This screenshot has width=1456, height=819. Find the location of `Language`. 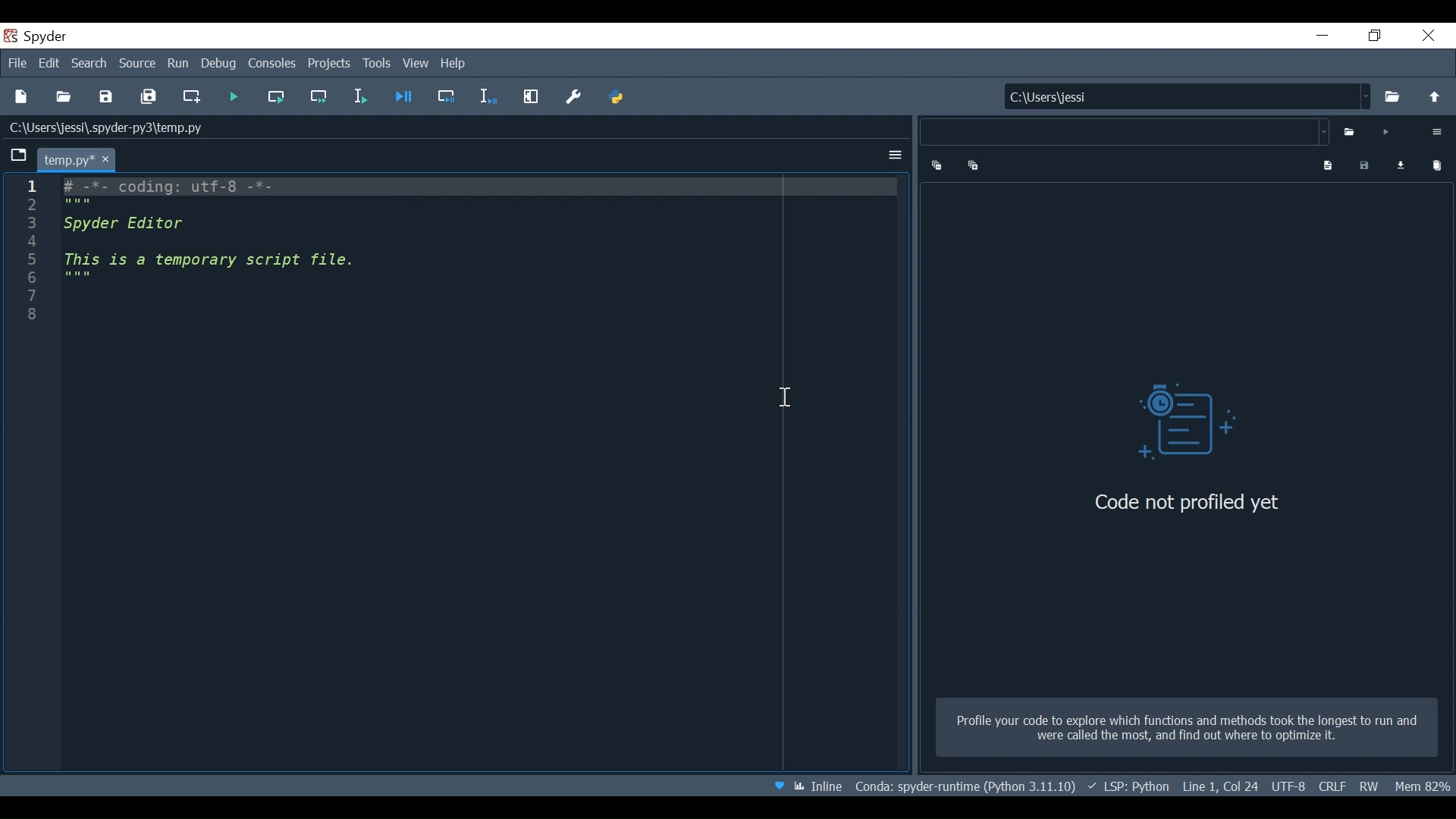

Language is located at coordinates (1127, 784).